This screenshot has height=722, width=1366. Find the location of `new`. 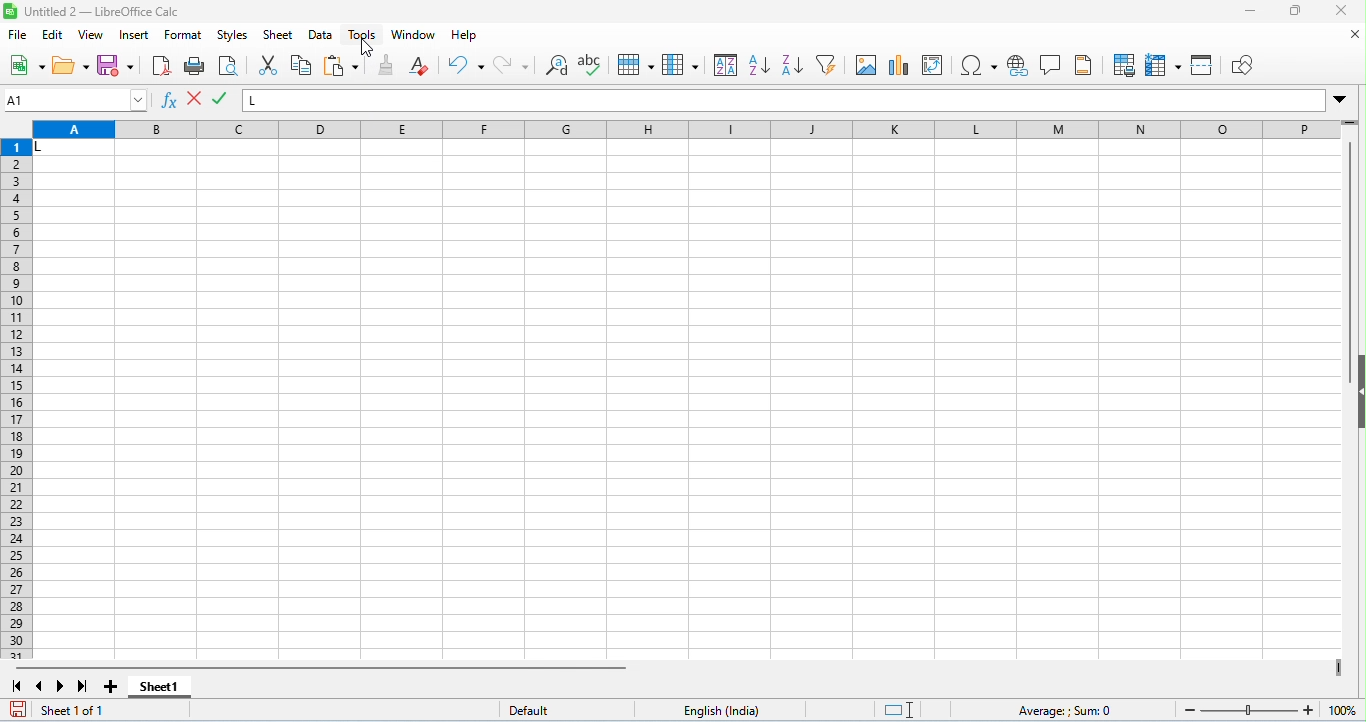

new is located at coordinates (27, 67).